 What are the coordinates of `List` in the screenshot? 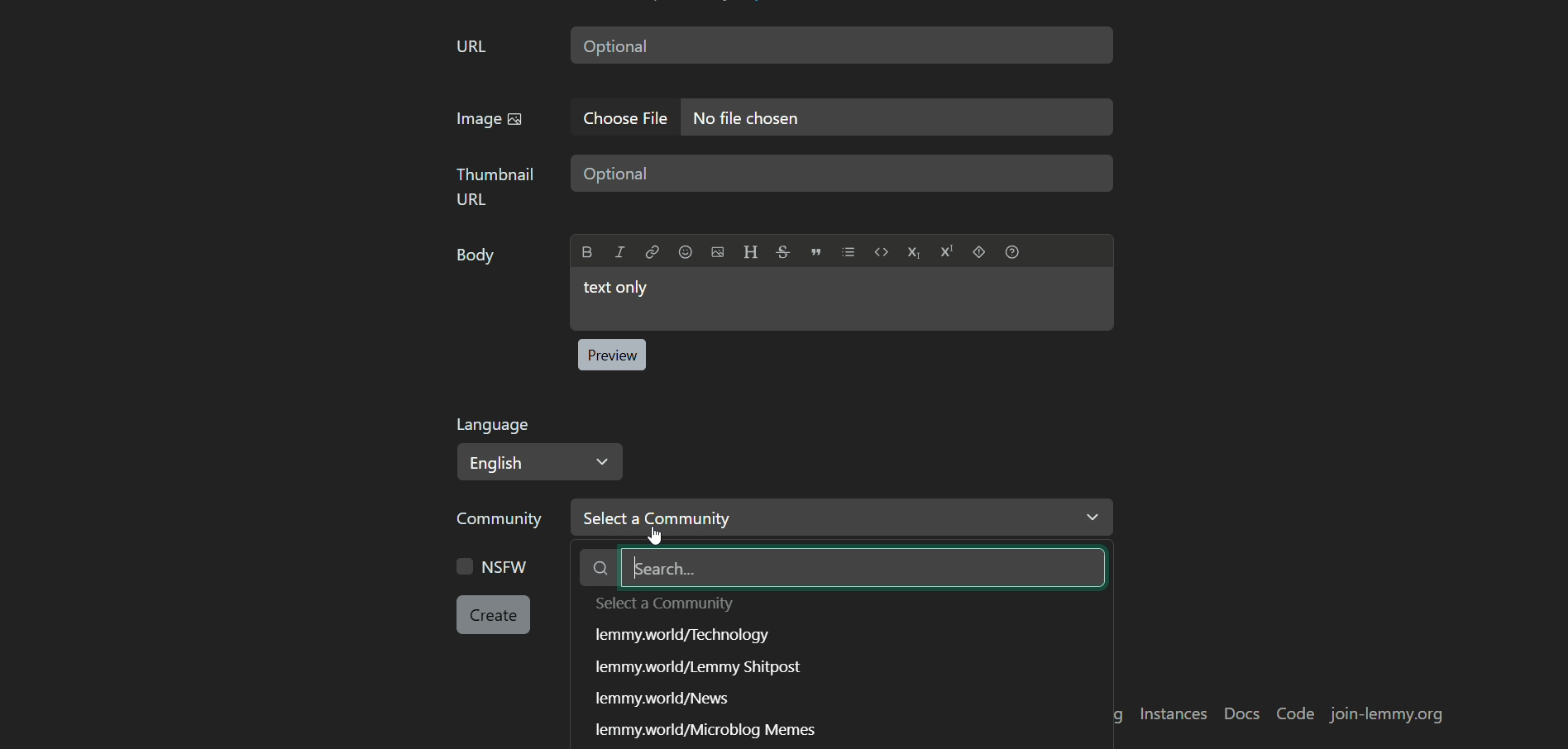 It's located at (849, 251).